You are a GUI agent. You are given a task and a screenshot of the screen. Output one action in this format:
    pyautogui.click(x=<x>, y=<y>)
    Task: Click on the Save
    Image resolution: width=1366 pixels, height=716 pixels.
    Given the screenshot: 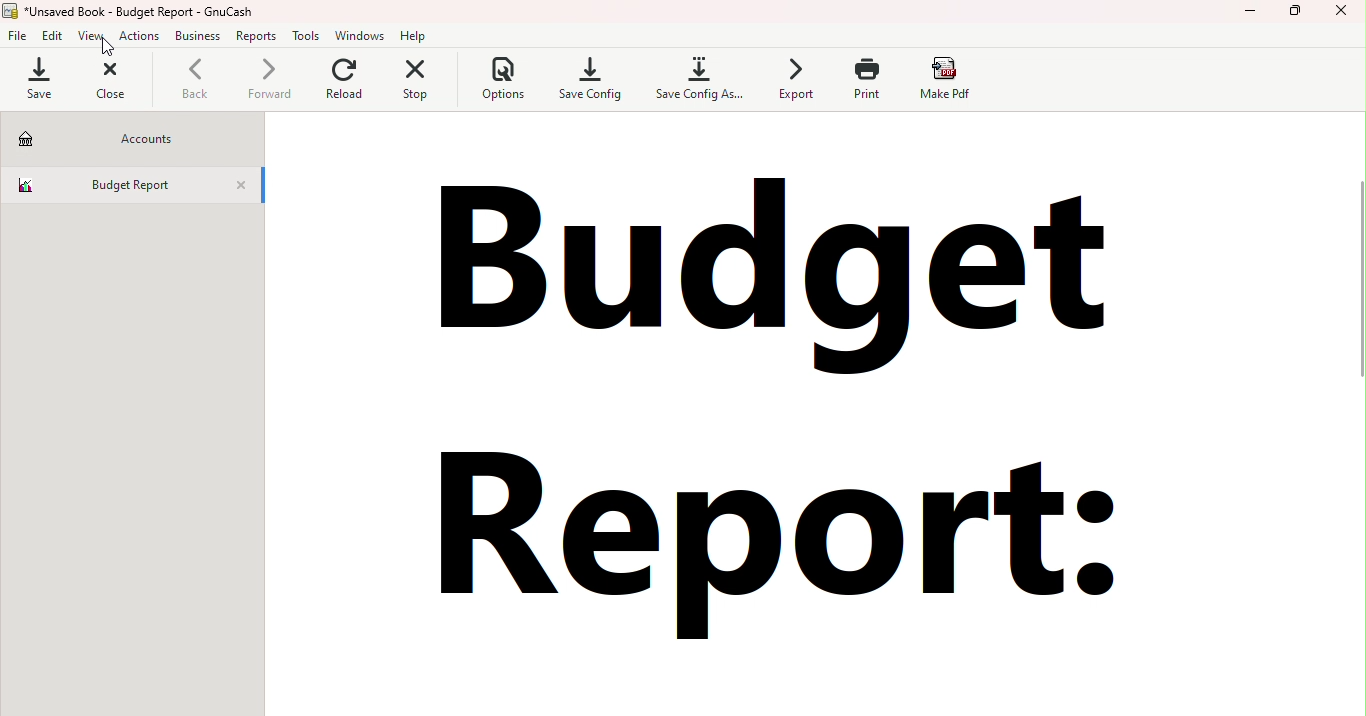 What is the action you would take?
    pyautogui.click(x=44, y=78)
    